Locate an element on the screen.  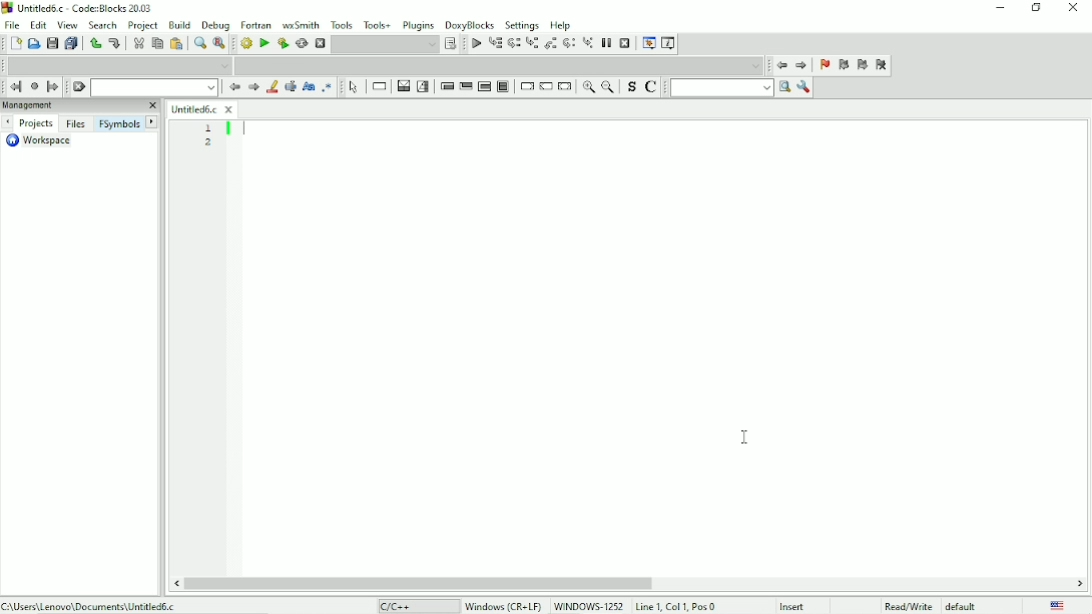
Restore down is located at coordinates (1037, 8).